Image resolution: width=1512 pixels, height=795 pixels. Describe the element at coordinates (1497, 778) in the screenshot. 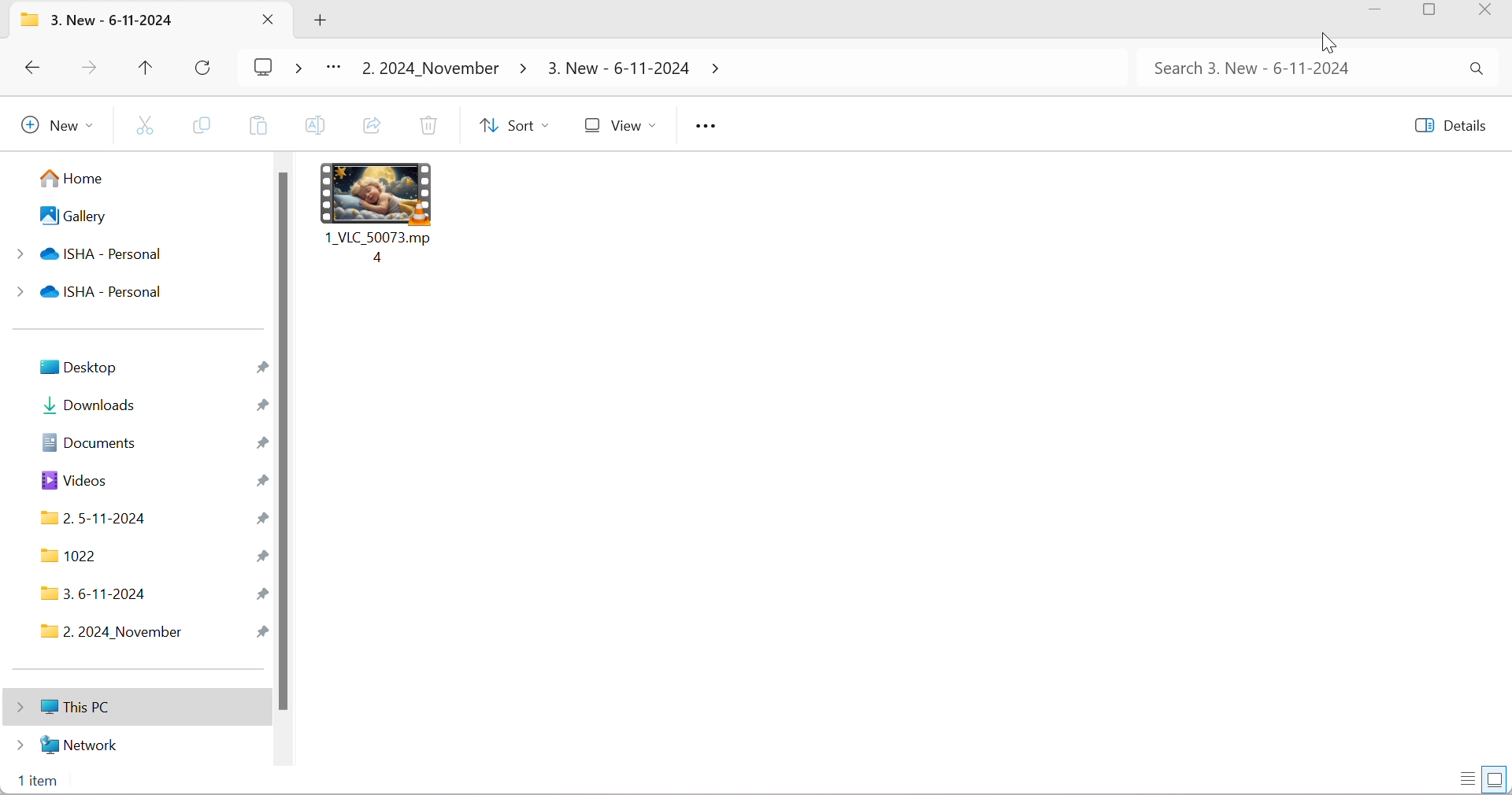

I see `Displays items using large thumbnails` at that location.